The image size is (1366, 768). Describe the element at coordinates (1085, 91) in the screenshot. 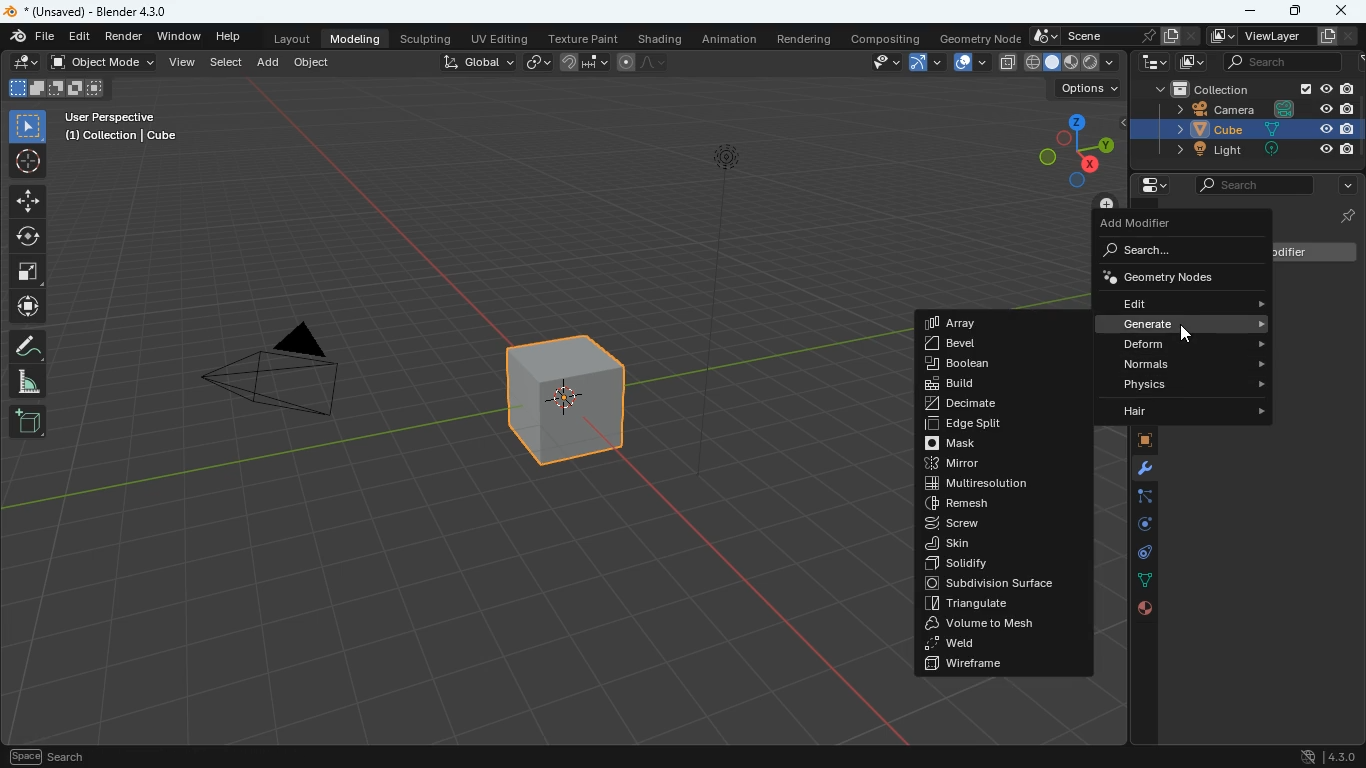

I see `options` at that location.